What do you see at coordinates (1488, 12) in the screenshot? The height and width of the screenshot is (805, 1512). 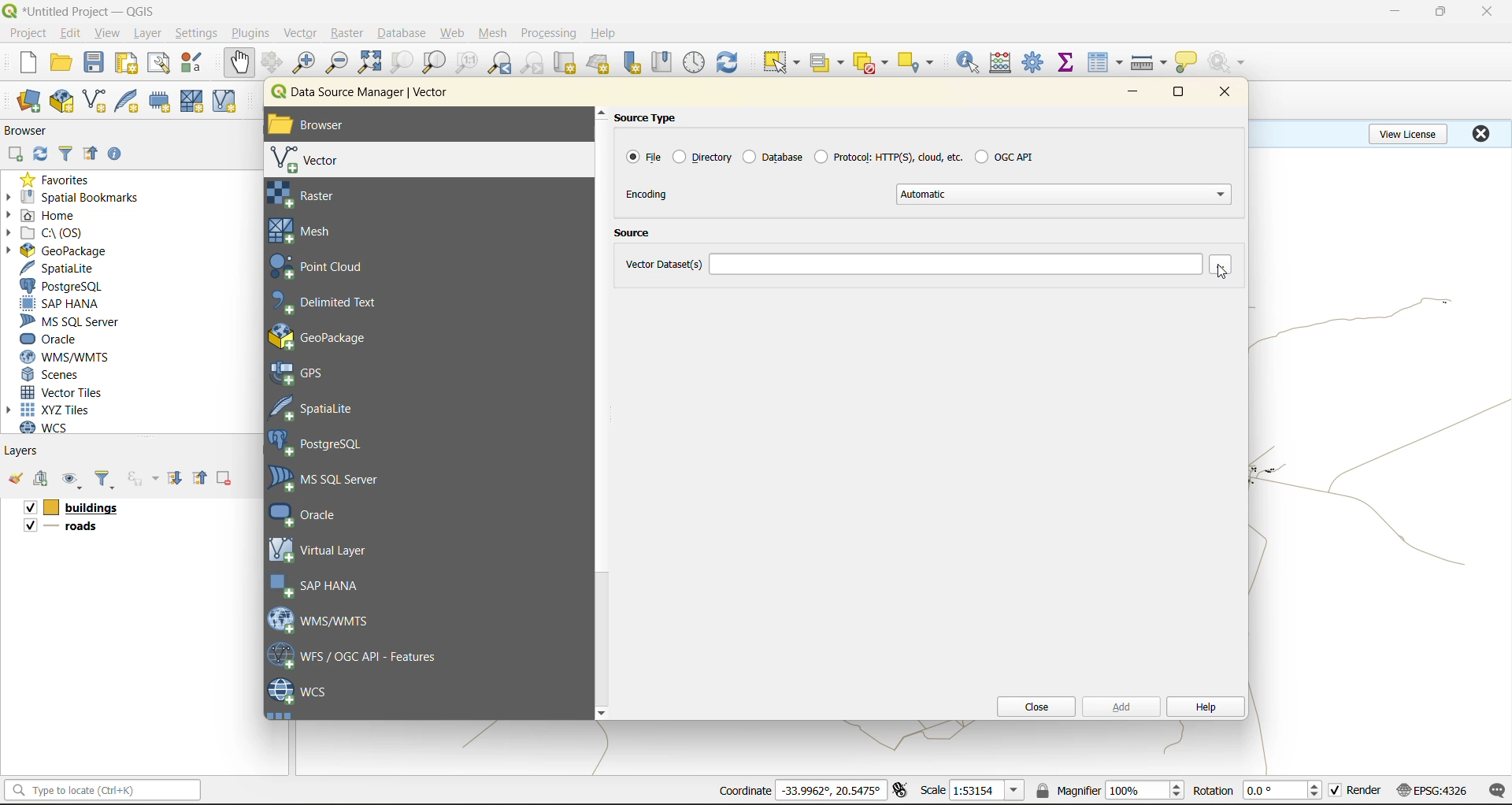 I see `close` at bounding box center [1488, 12].